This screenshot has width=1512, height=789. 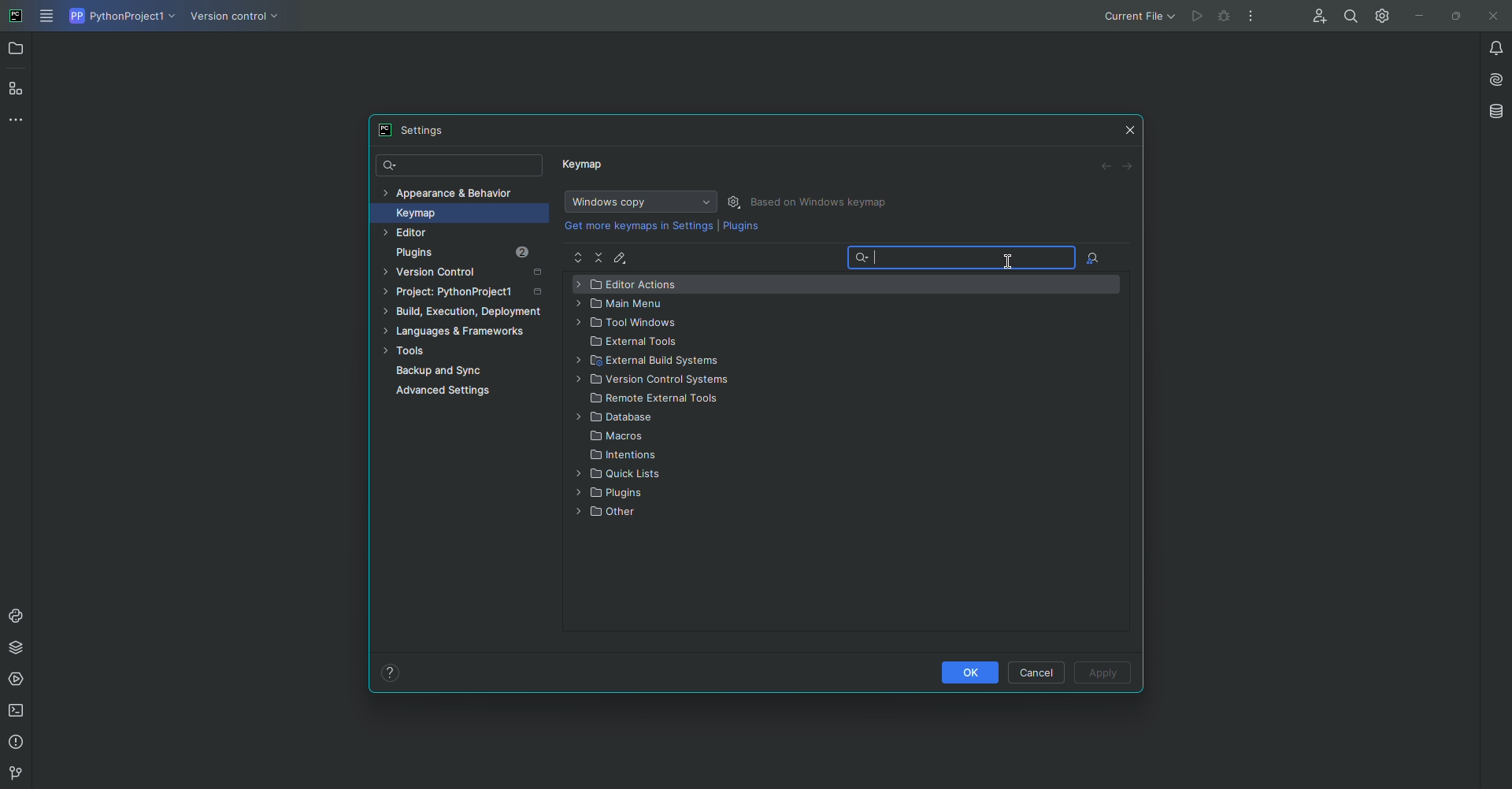 I want to click on AI, so click(x=1491, y=78).